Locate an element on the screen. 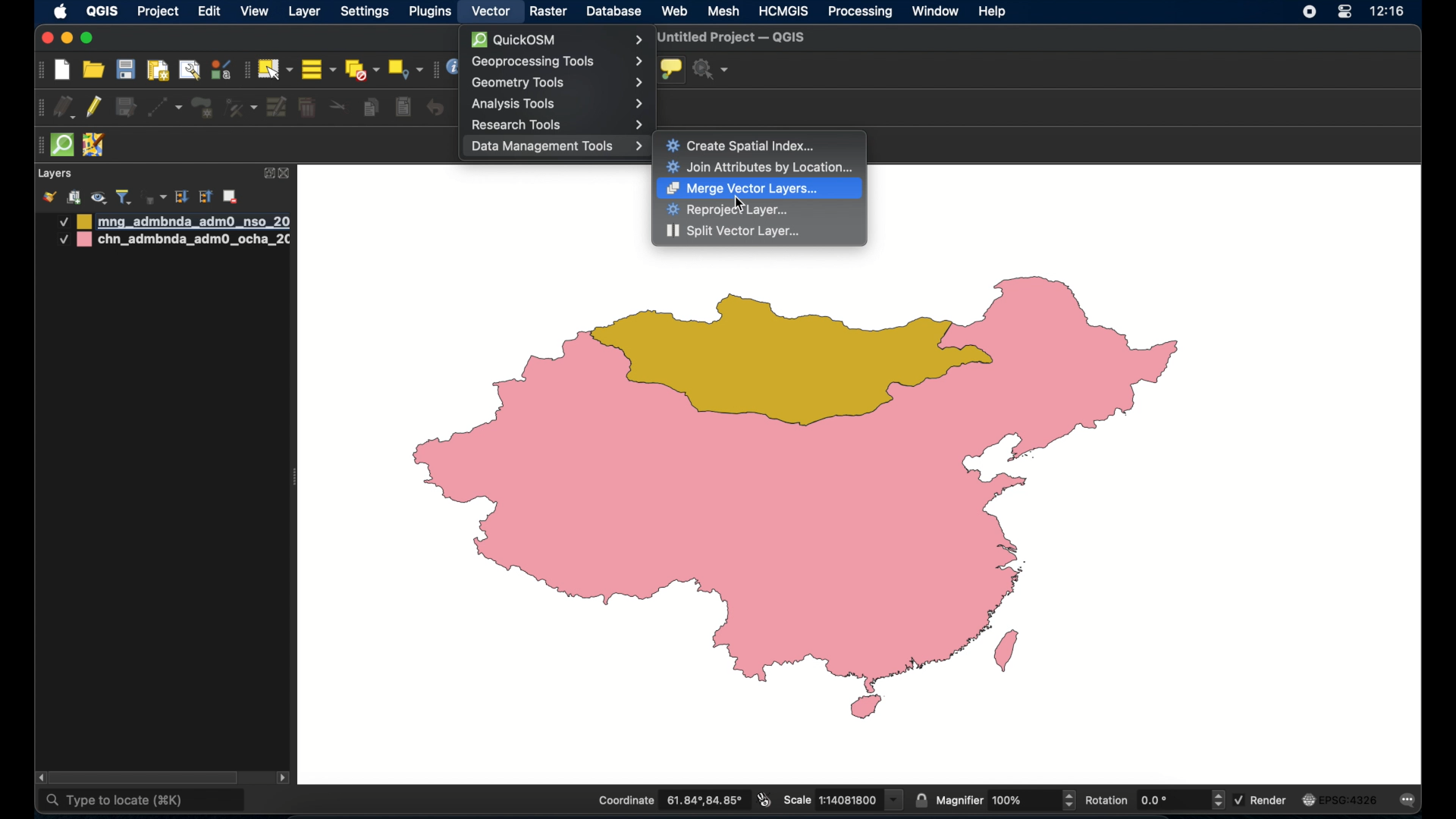 Image resolution: width=1456 pixels, height=819 pixels. plugins is located at coordinates (433, 11).